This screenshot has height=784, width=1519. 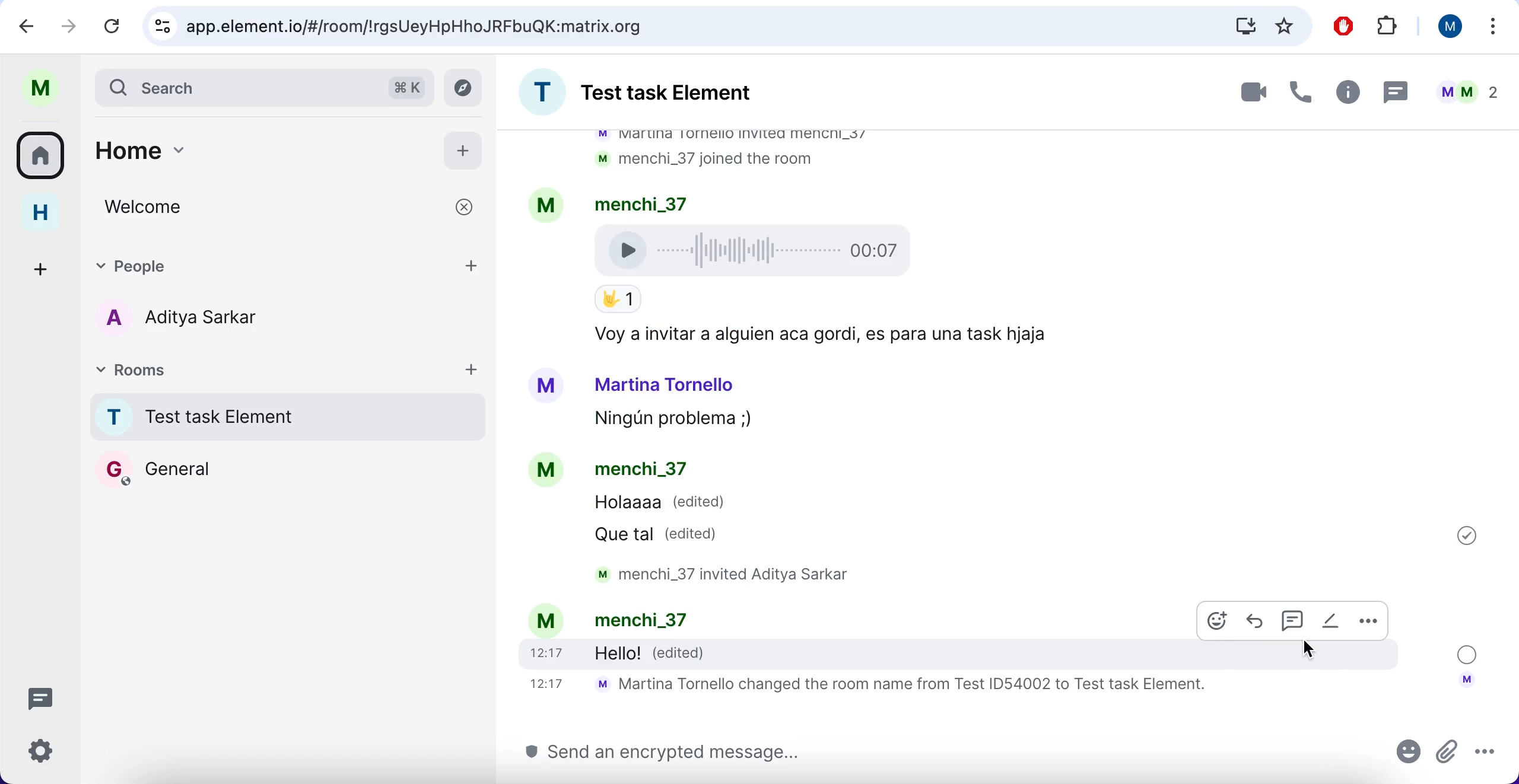 I want to click on more options, so click(x=1488, y=28).